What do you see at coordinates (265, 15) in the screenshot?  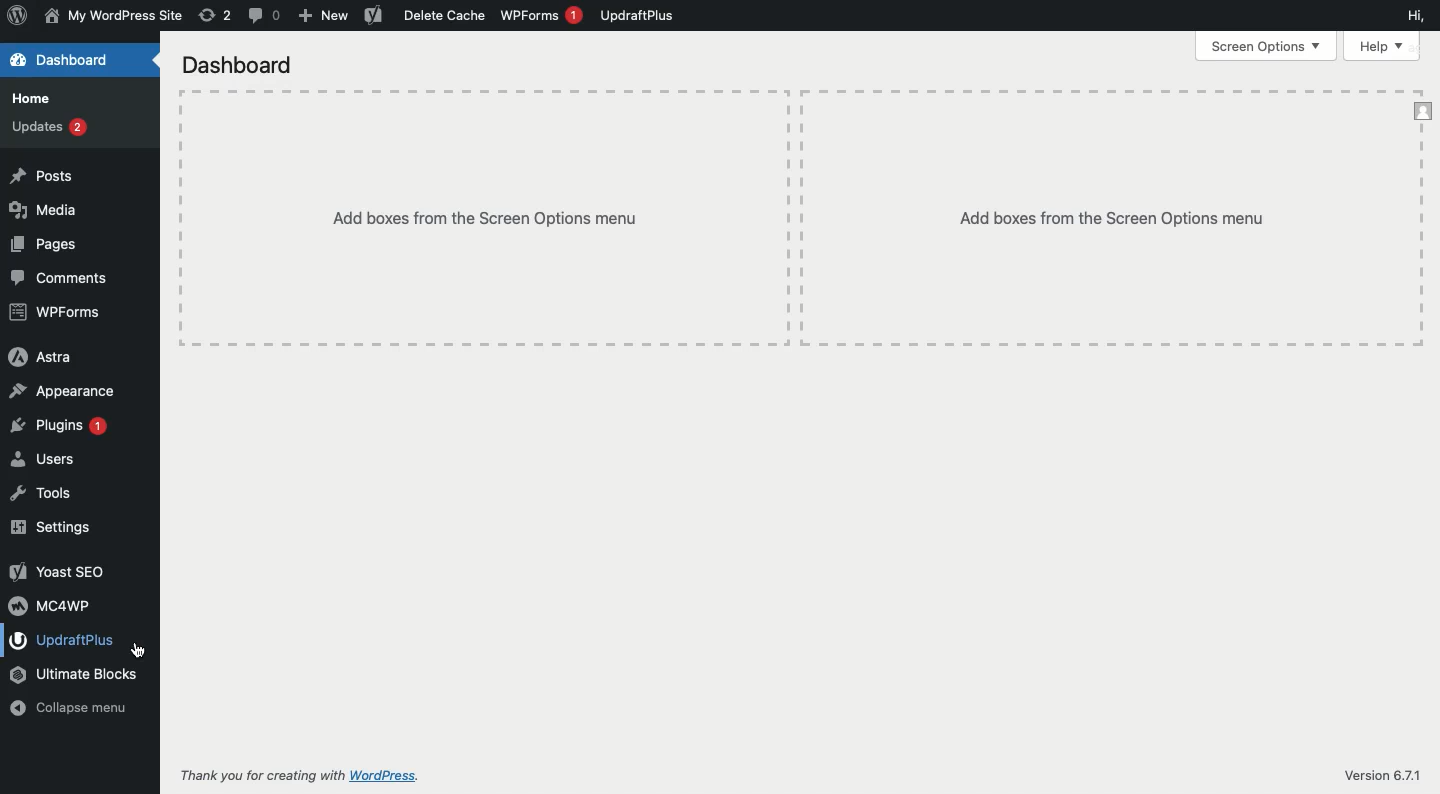 I see `Comment 0` at bounding box center [265, 15].